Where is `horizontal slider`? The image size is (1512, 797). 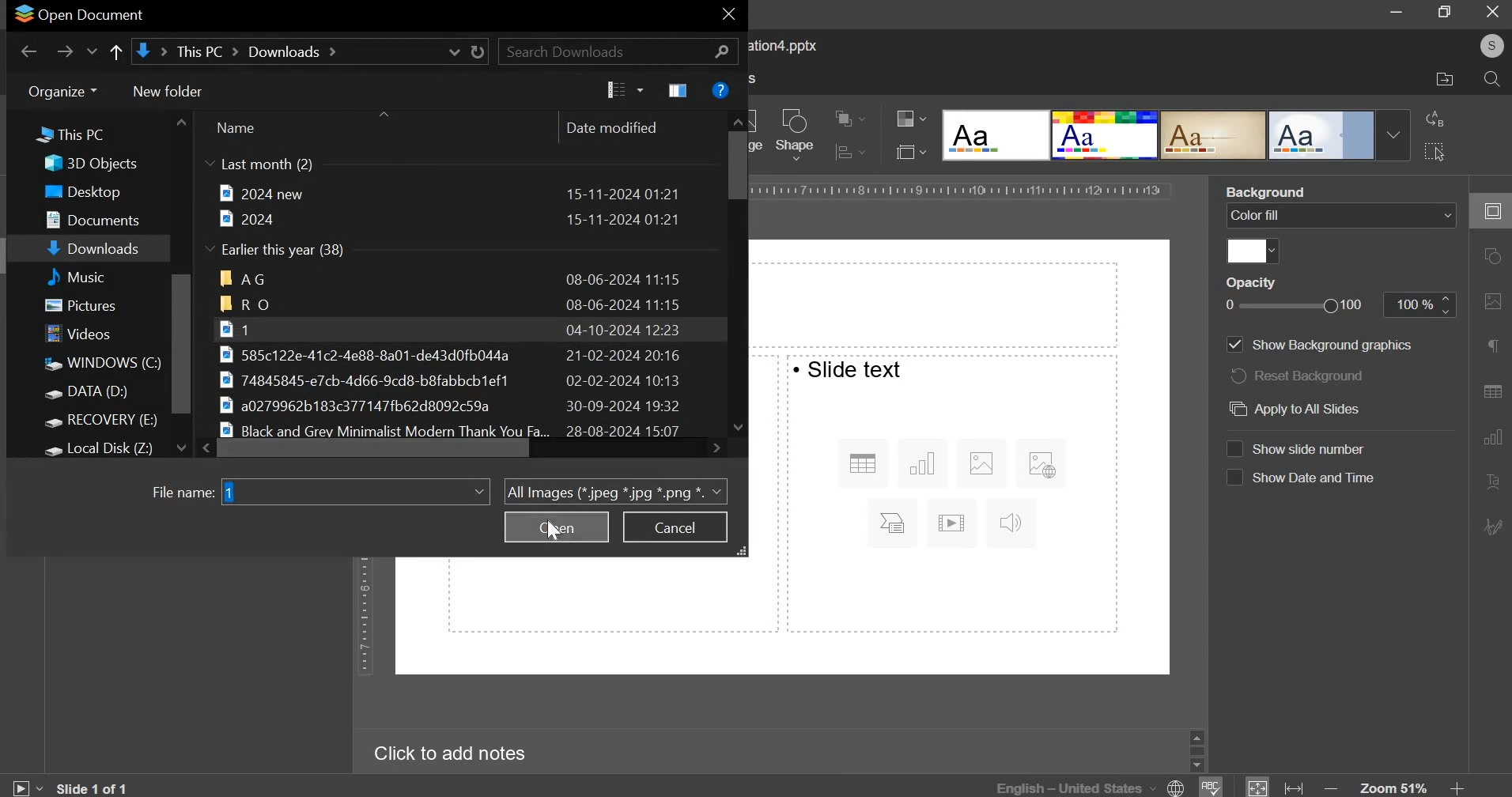
horizontal slider is located at coordinates (461, 448).